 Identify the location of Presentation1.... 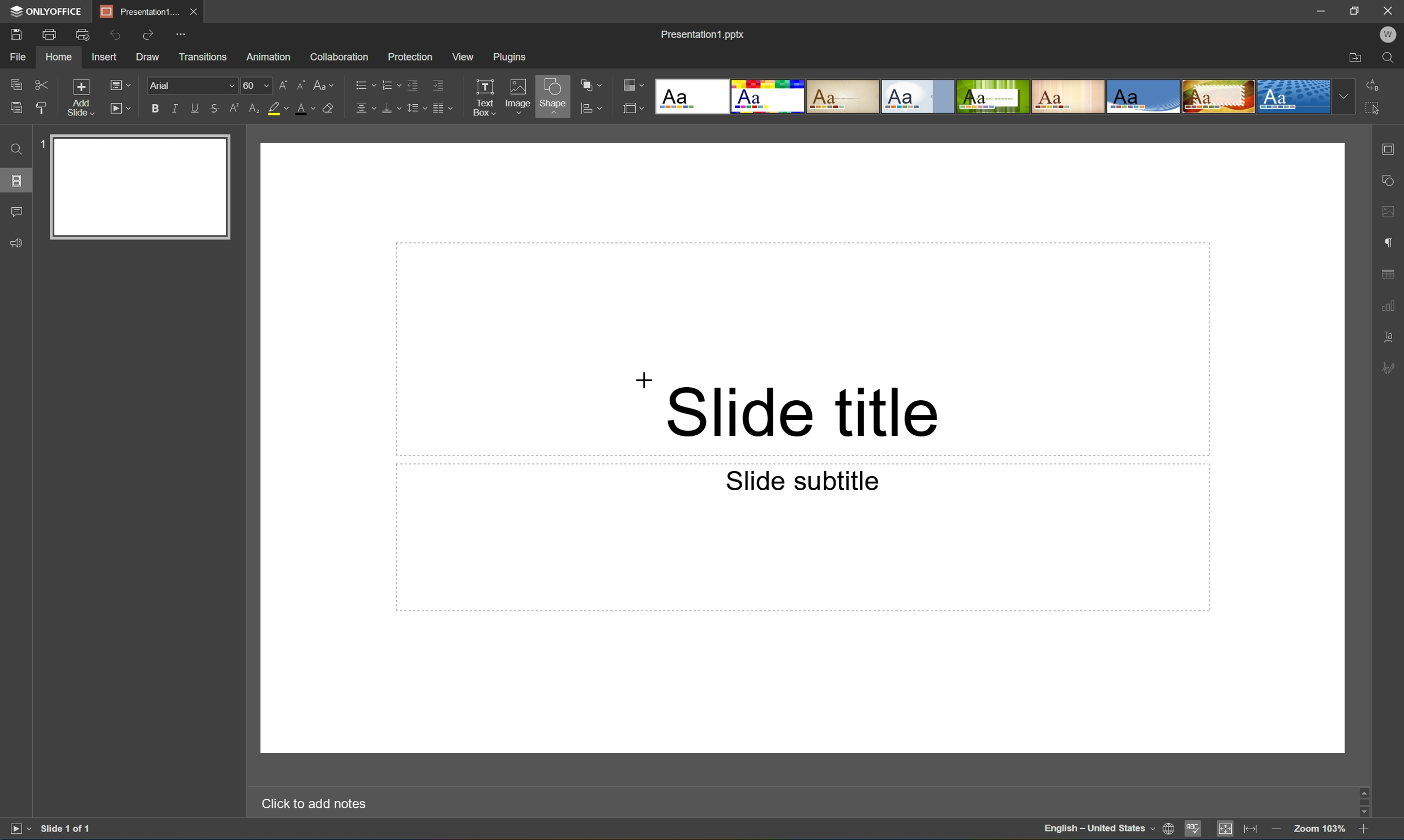
(136, 11).